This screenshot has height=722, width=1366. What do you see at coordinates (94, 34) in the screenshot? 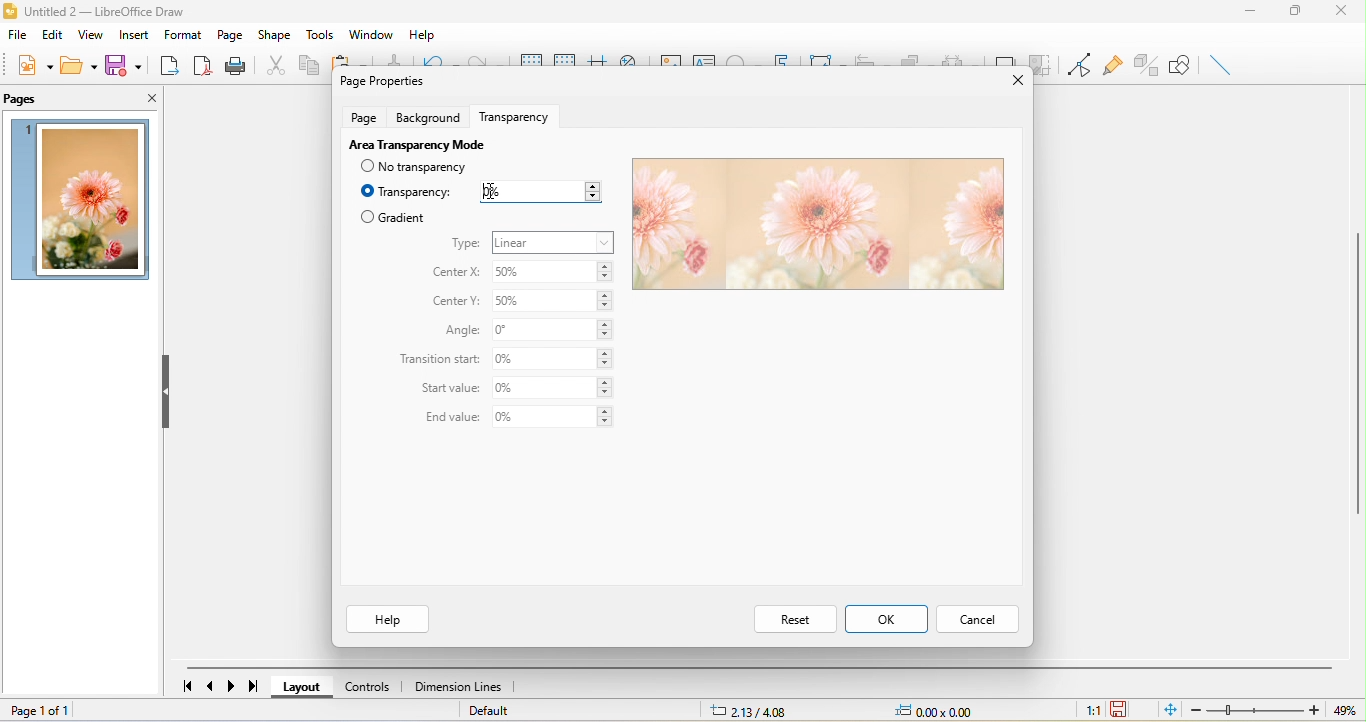
I see `view` at bounding box center [94, 34].